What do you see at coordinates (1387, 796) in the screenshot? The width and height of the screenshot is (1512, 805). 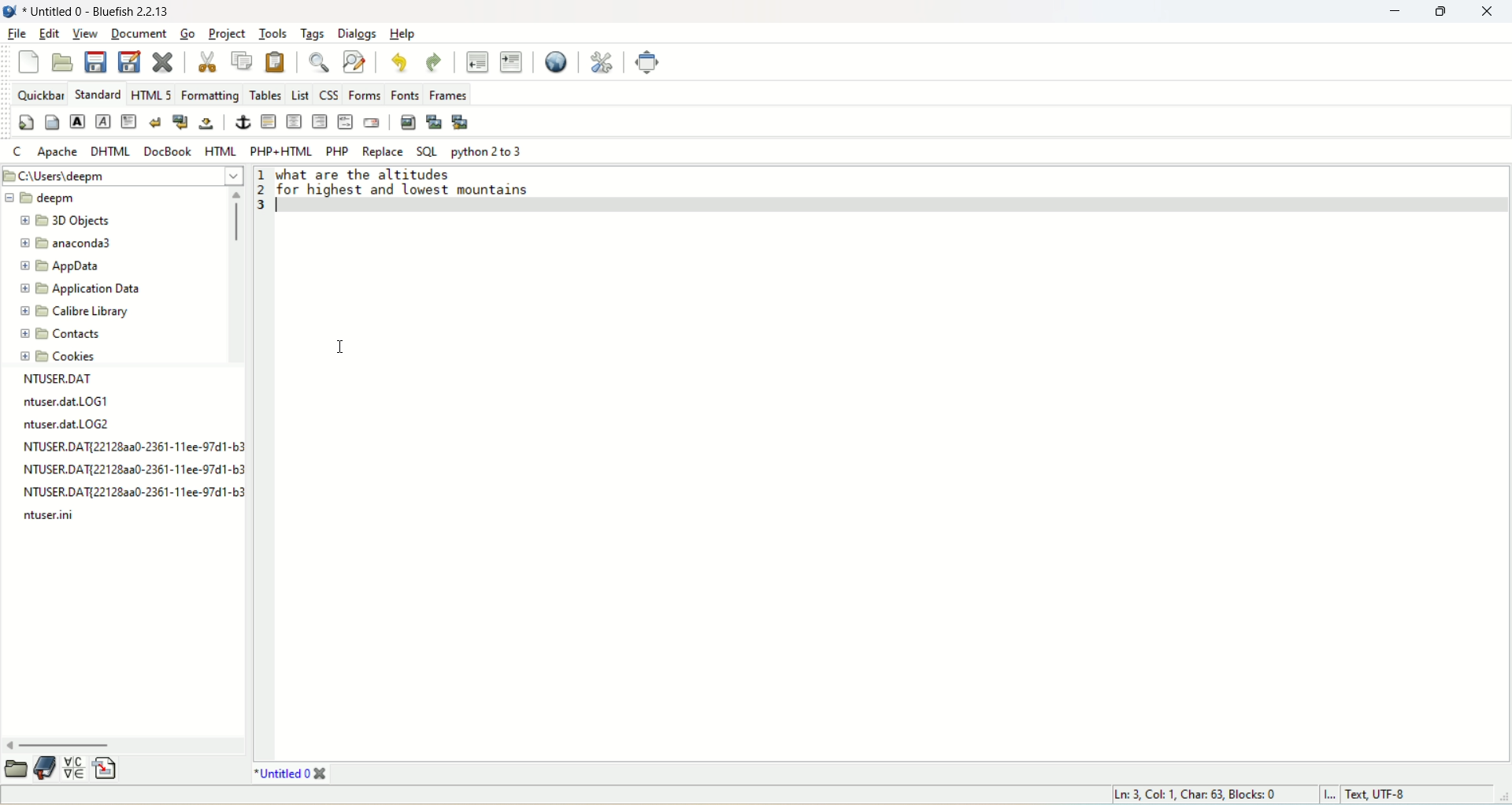 I see `text, UTF-8` at bounding box center [1387, 796].